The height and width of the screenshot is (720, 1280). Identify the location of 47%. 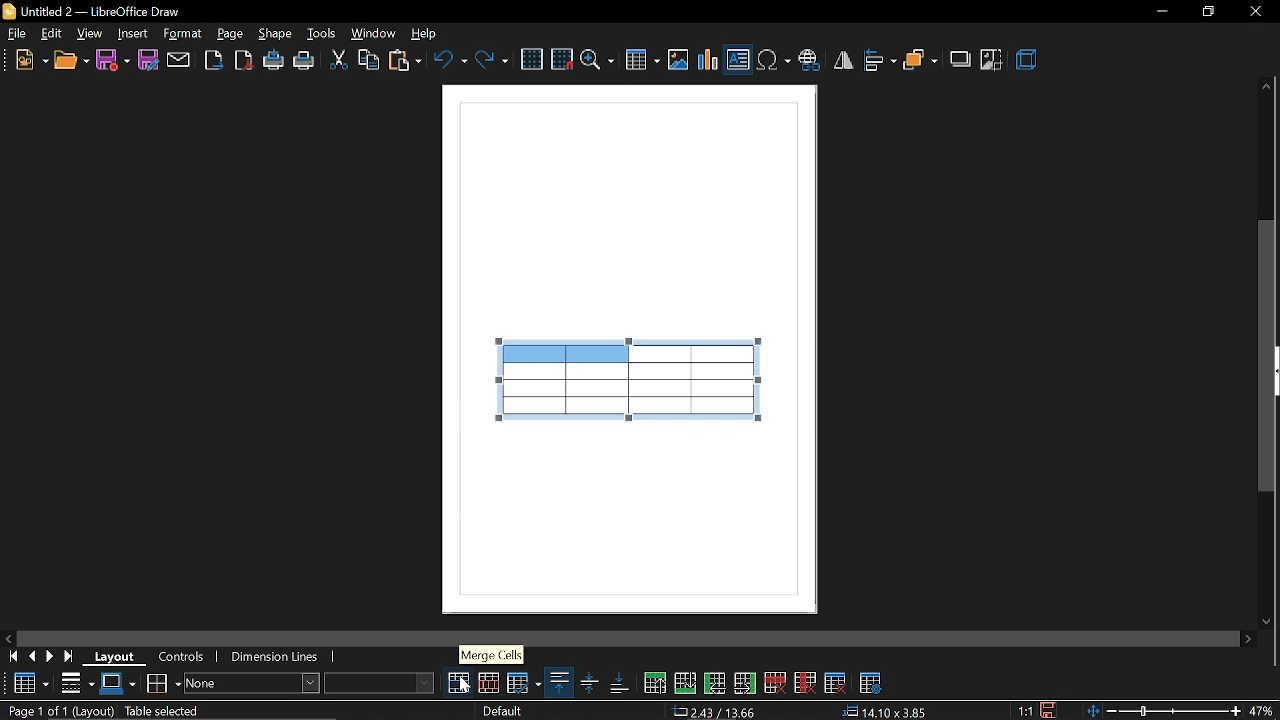
(1265, 711).